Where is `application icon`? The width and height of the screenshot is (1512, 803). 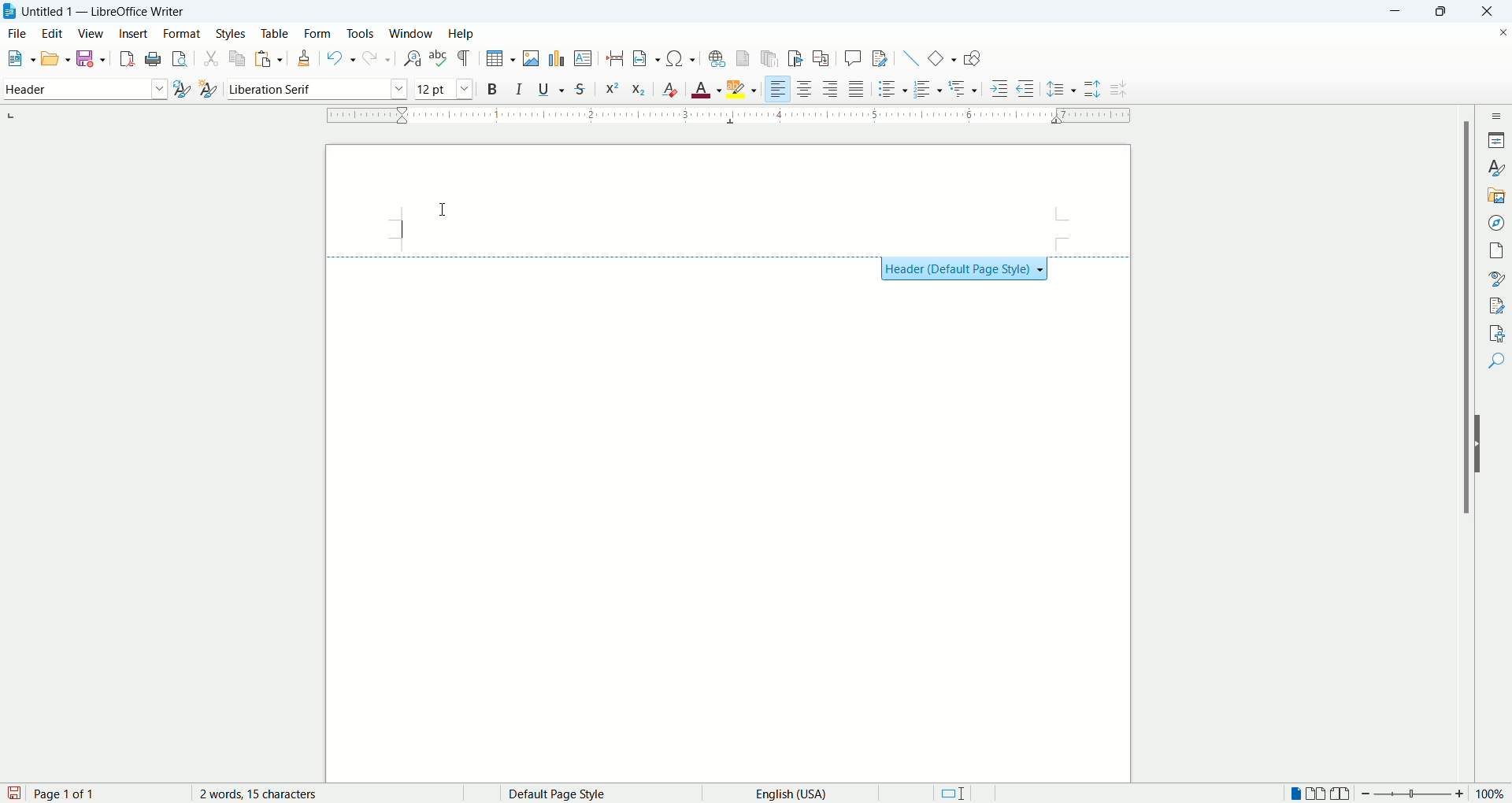
application icon is located at coordinates (11, 11).